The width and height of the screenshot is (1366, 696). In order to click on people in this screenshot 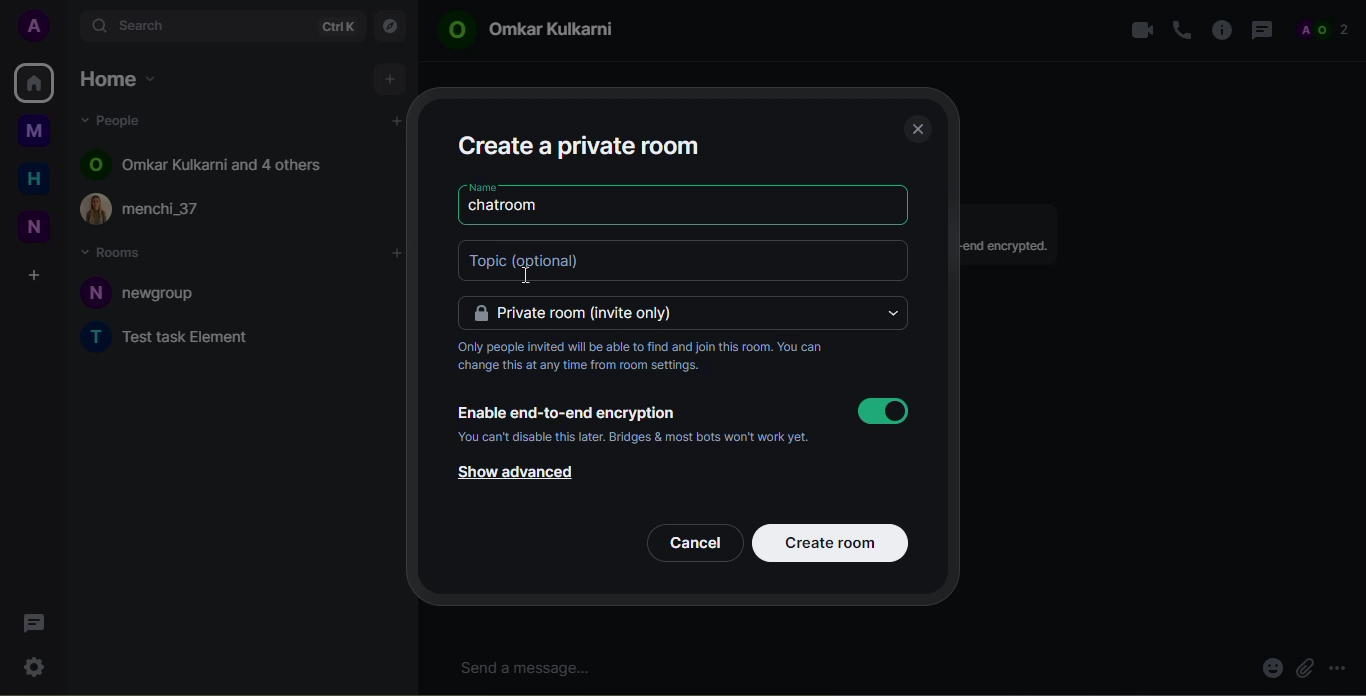, I will do `click(1328, 30)`.